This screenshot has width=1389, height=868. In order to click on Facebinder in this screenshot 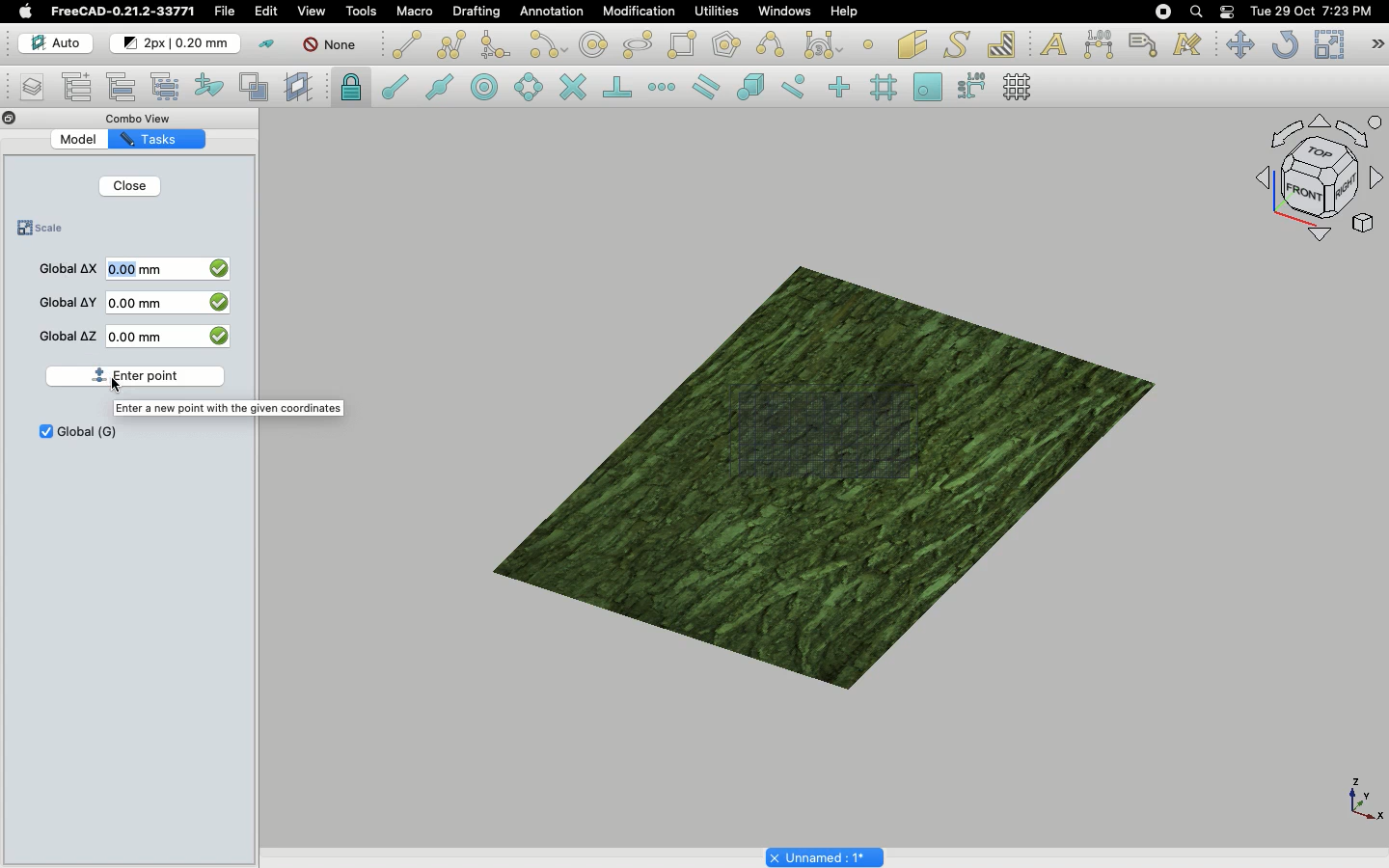, I will do `click(912, 43)`.